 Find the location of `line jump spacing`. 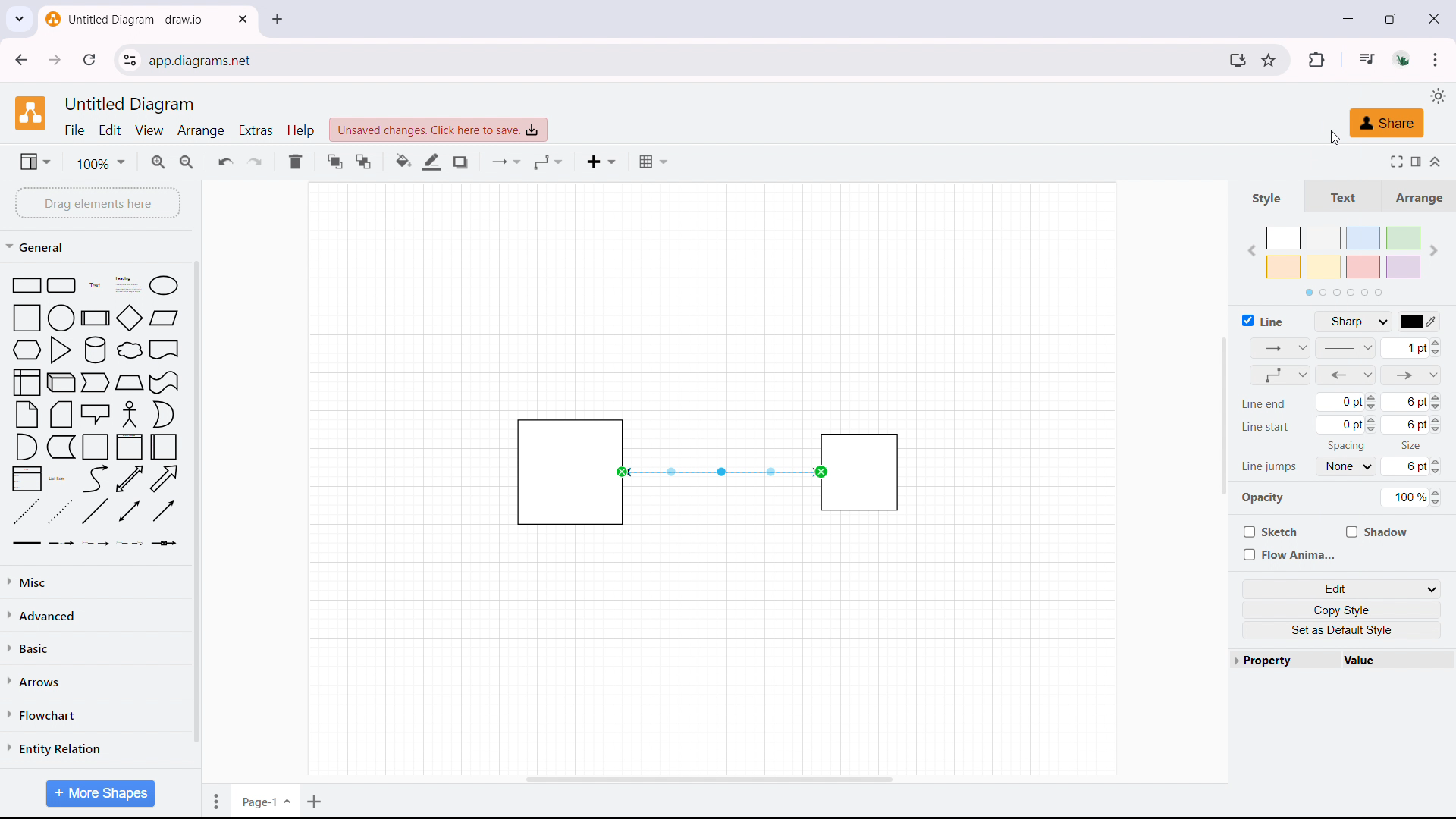

line jump spacing is located at coordinates (1348, 466).